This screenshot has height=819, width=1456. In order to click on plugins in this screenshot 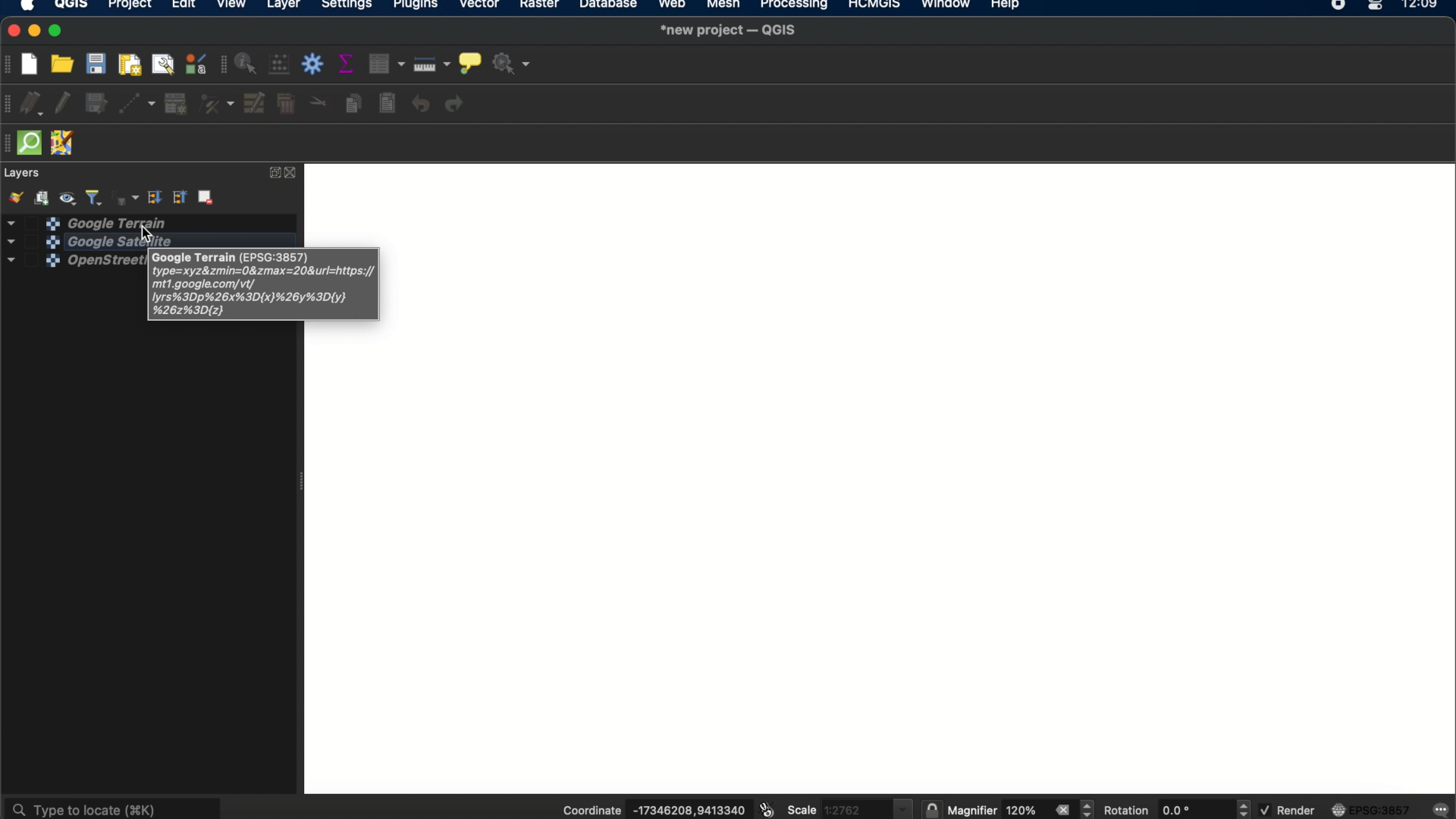, I will do `click(416, 6)`.